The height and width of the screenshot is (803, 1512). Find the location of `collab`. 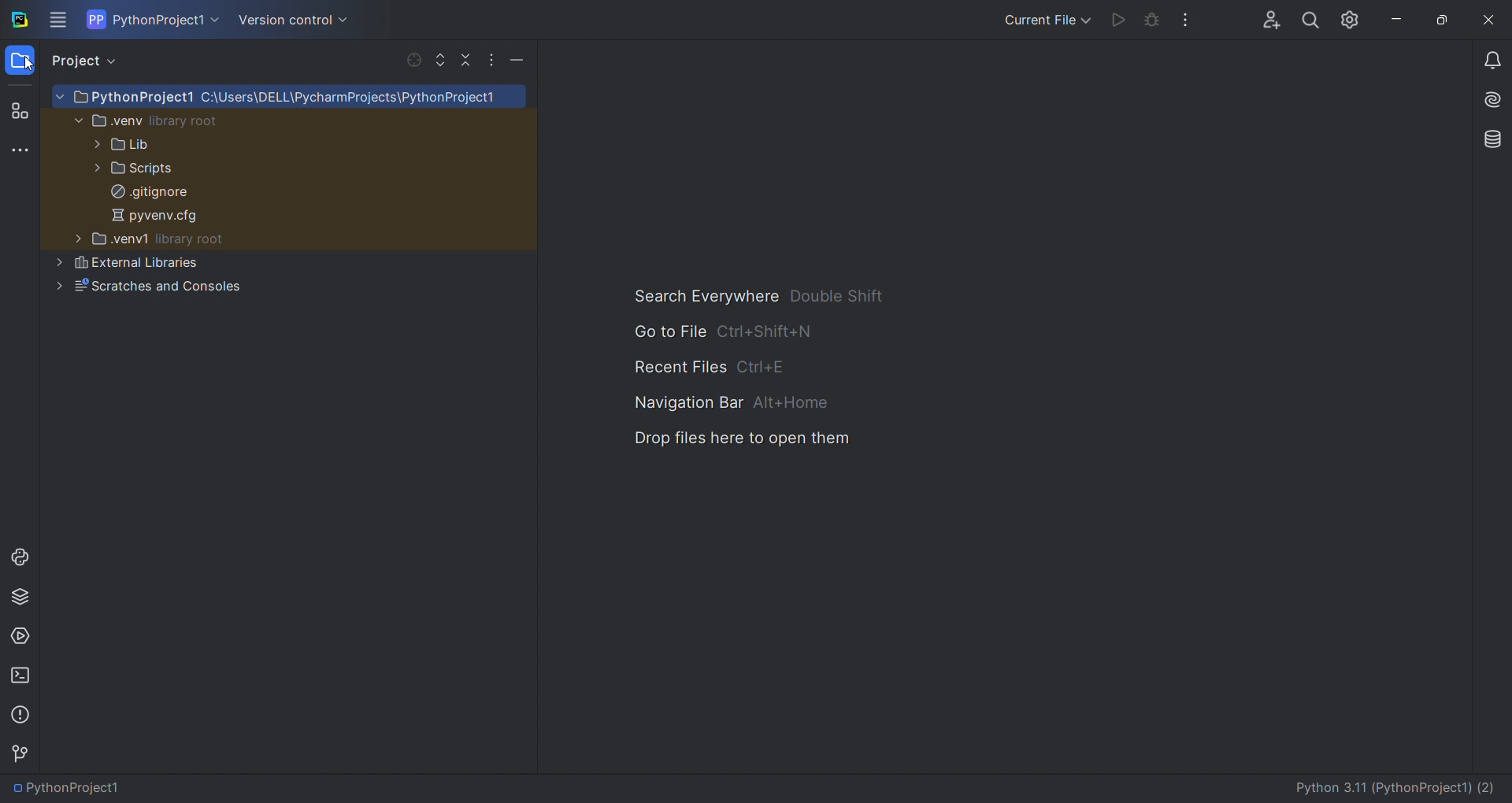

collab is located at coordinates (1268, 18).